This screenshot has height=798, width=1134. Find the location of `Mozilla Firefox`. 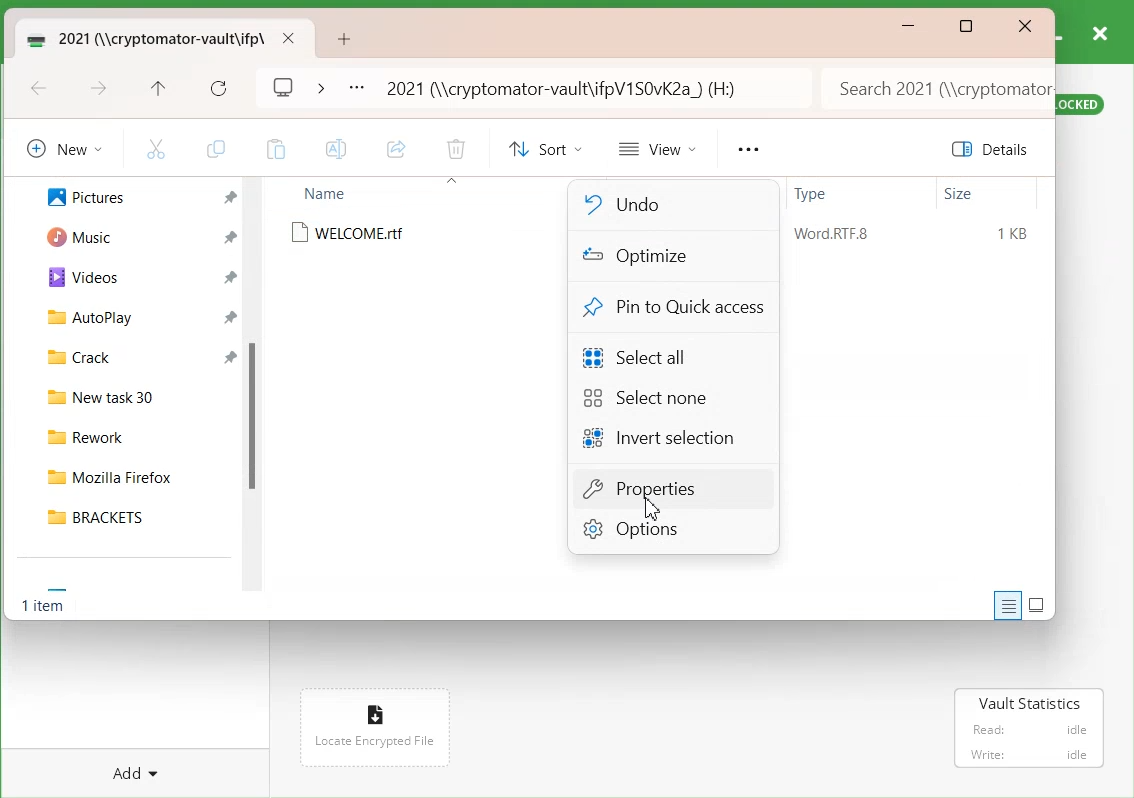

Mozilla Firefox is located at coordinates (131, 473).